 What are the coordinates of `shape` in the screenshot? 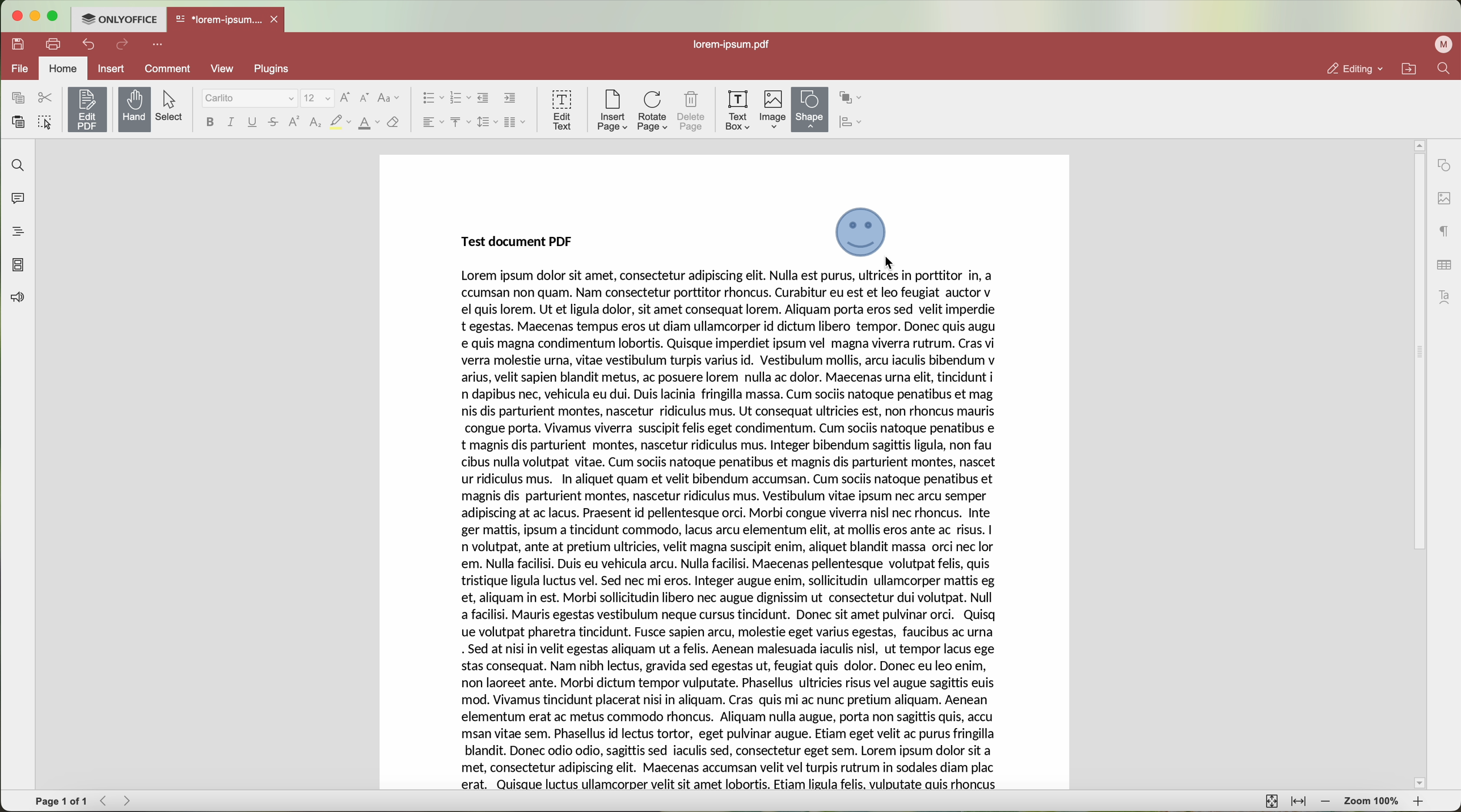 It's located at (809, 109).